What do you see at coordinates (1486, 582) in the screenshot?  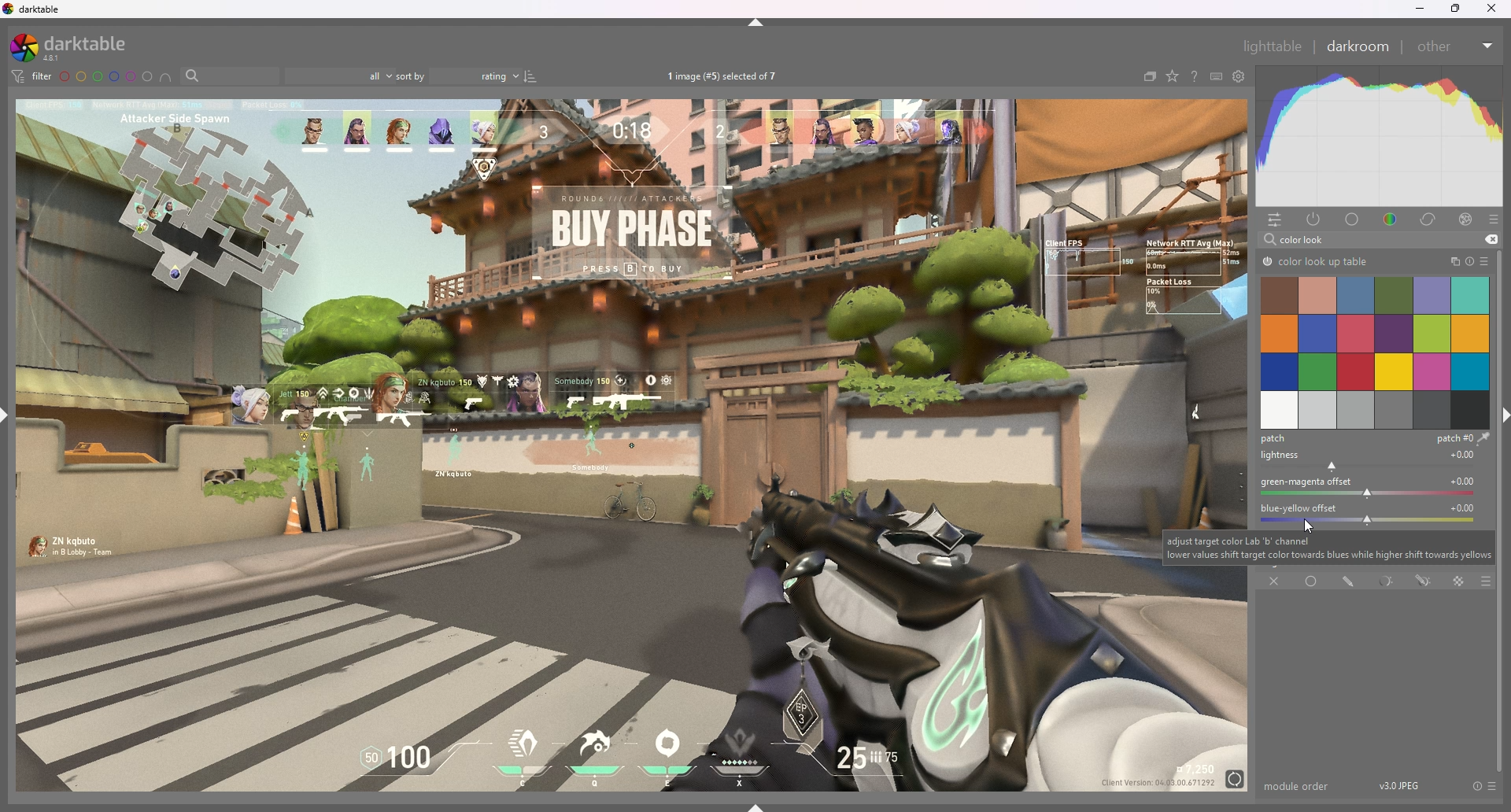 I see `blending options` at bounding box center [1486, 582].